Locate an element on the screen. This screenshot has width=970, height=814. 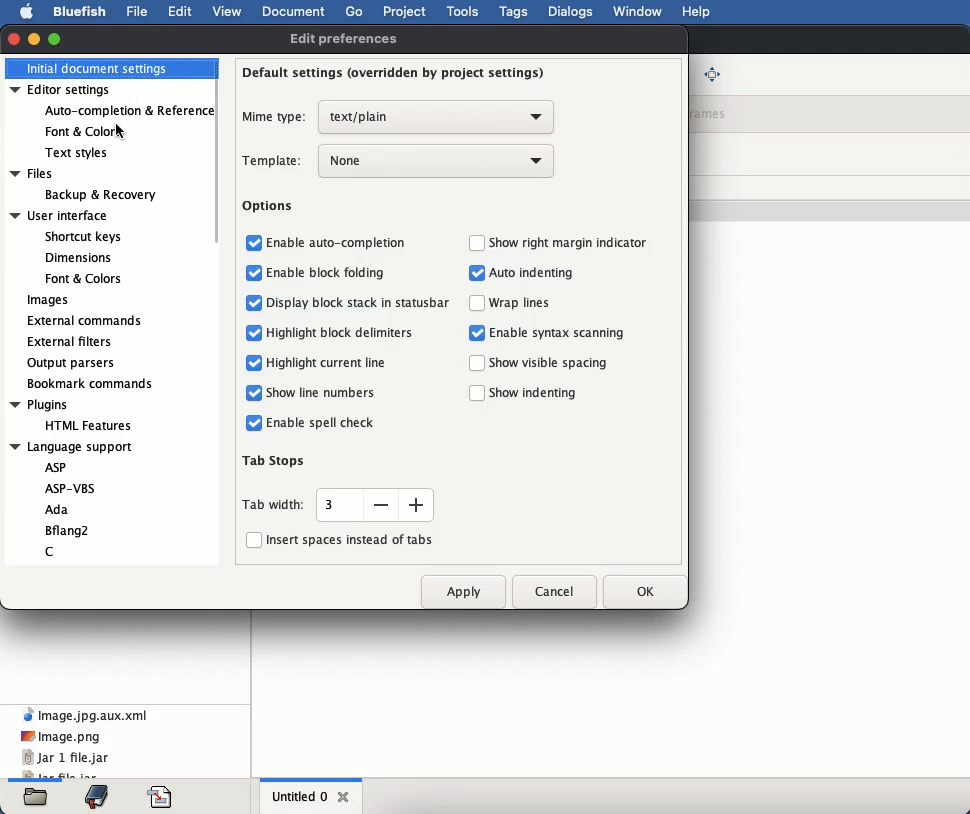
initial document settings is located at coordinates (104, 68).